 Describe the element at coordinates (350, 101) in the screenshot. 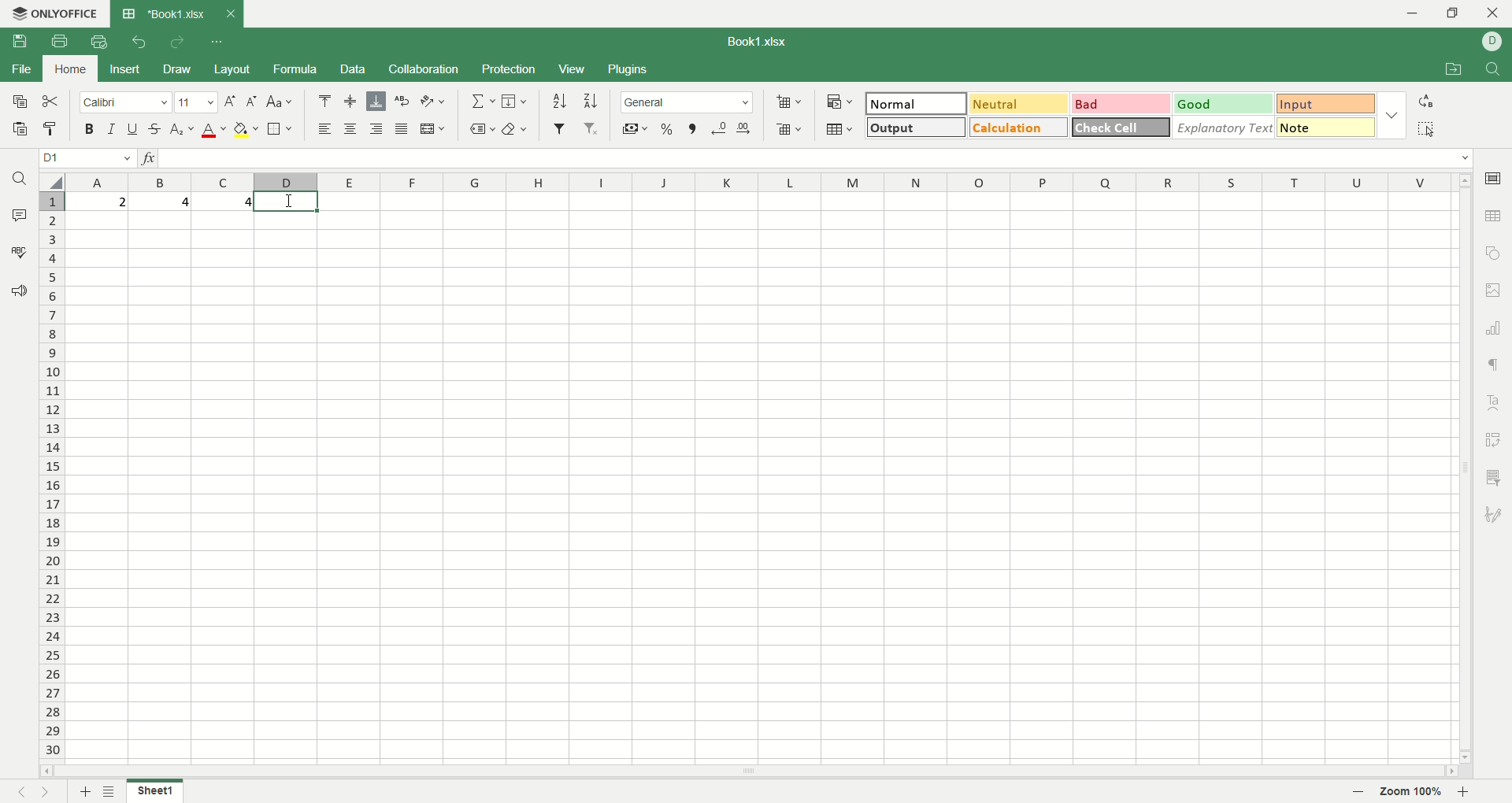

I see `align middle` at that location.